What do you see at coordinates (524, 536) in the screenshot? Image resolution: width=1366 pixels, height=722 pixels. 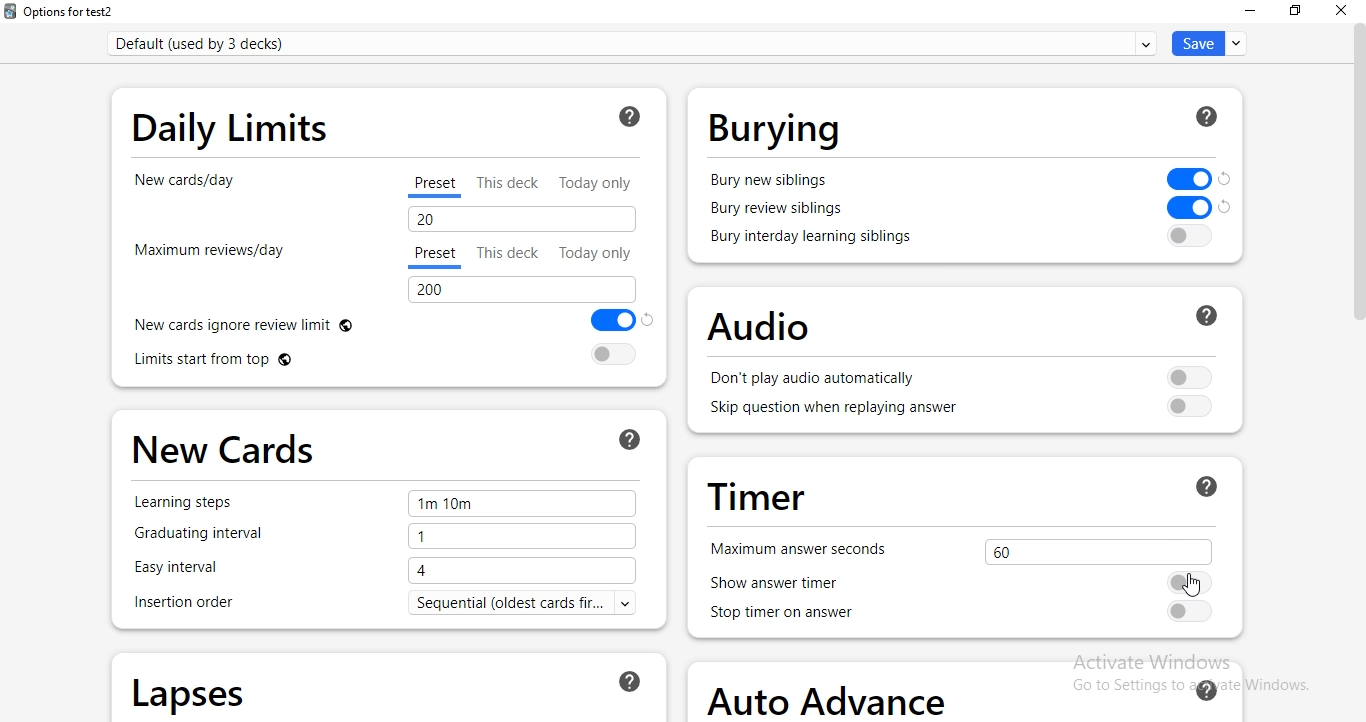 I see `1` at bounding box center [524, 536].